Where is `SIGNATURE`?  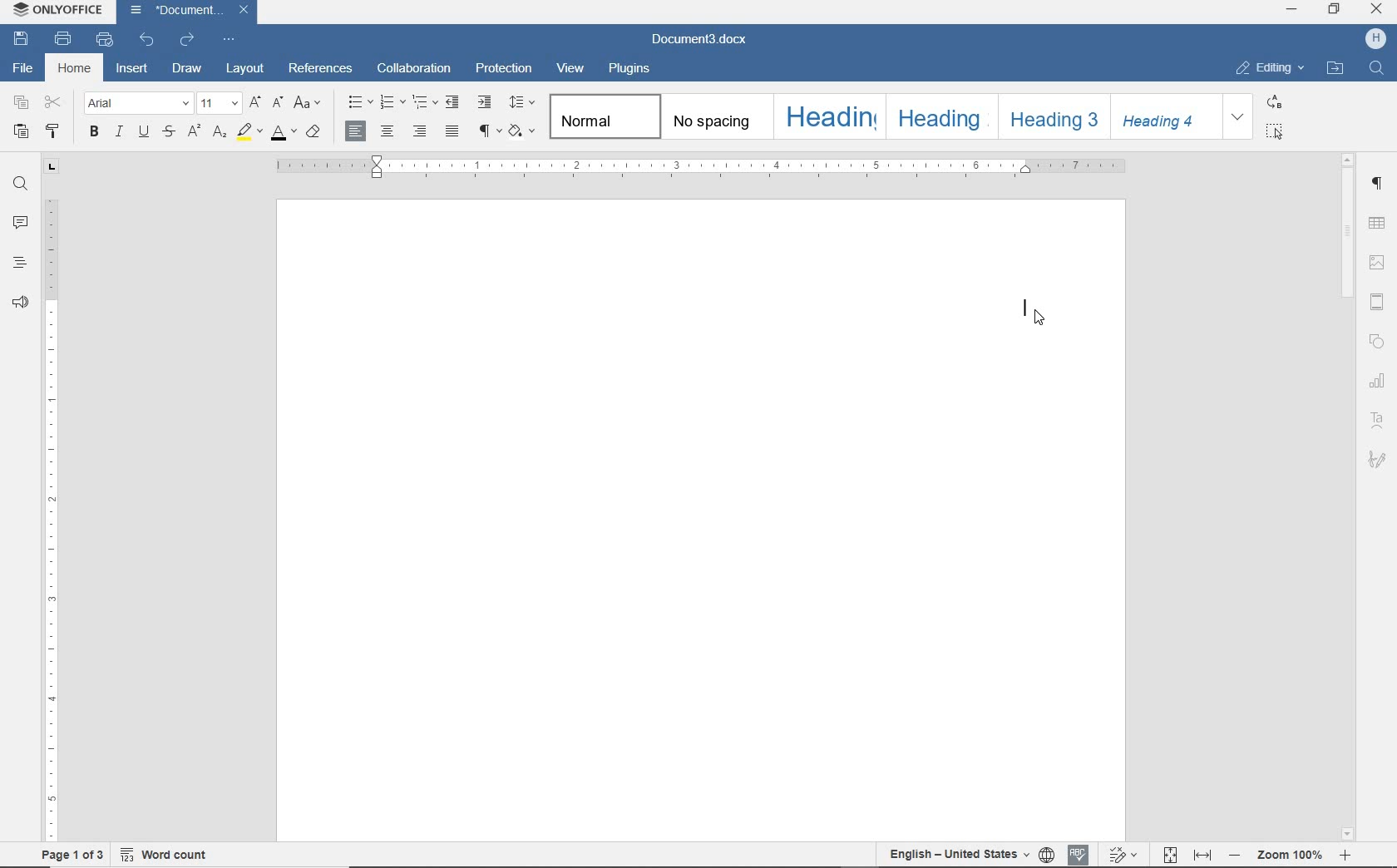
SIGNATURE is located at coordinates (1378, 459).